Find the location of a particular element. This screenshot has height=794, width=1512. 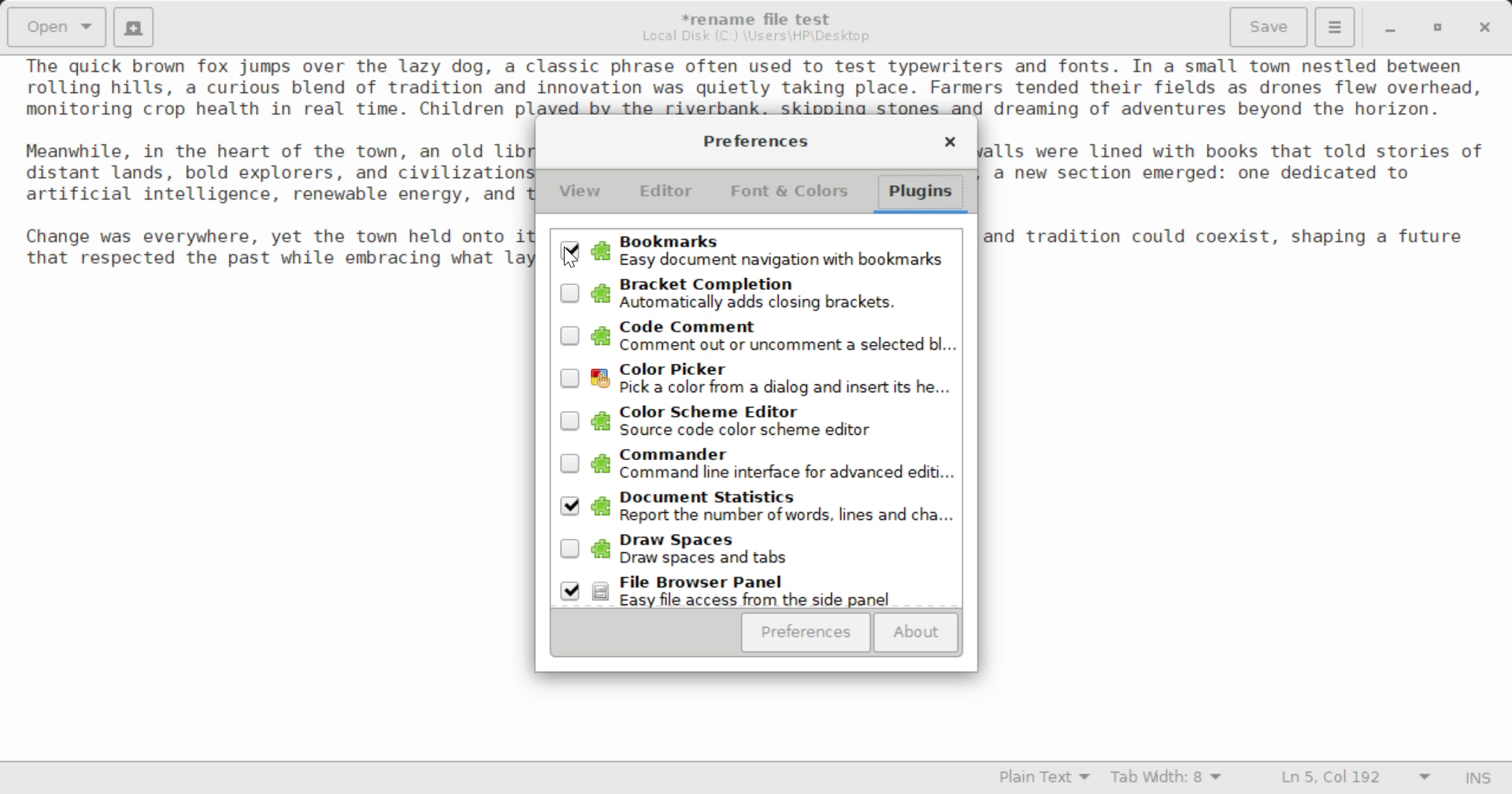

Sample text about a charming town is located at coordinates (756, 86).